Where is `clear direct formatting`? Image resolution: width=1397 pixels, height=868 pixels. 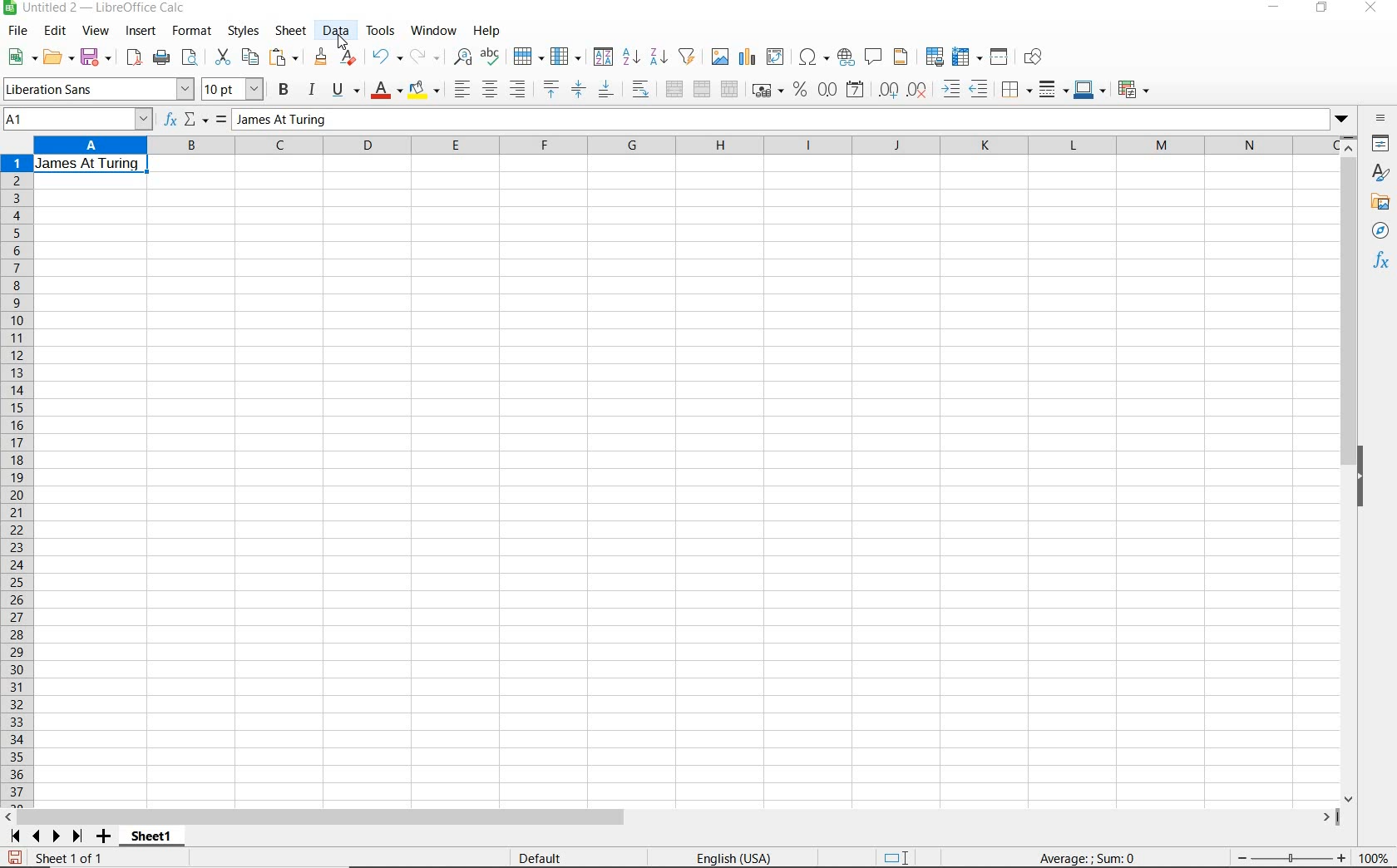
clear direct formatting is located at coordinates (349, 58).